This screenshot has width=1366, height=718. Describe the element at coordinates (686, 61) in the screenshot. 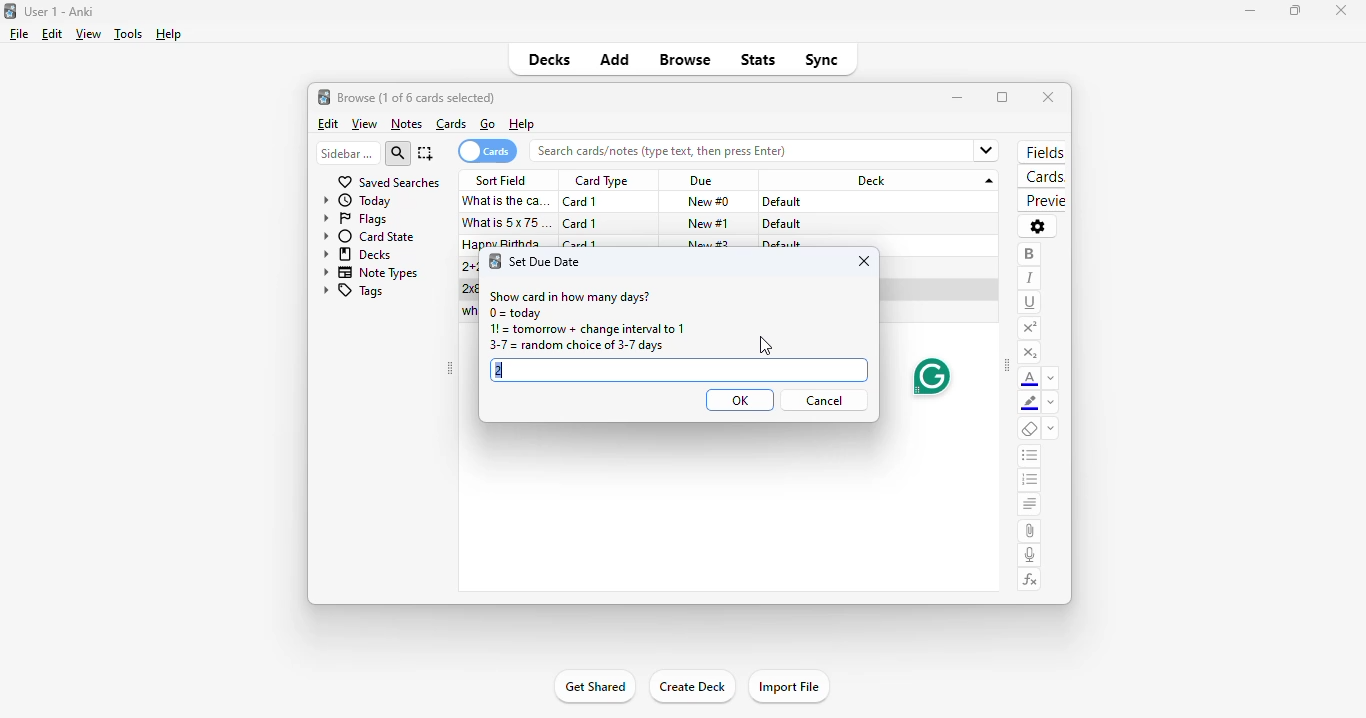

I see `browse` at that location.